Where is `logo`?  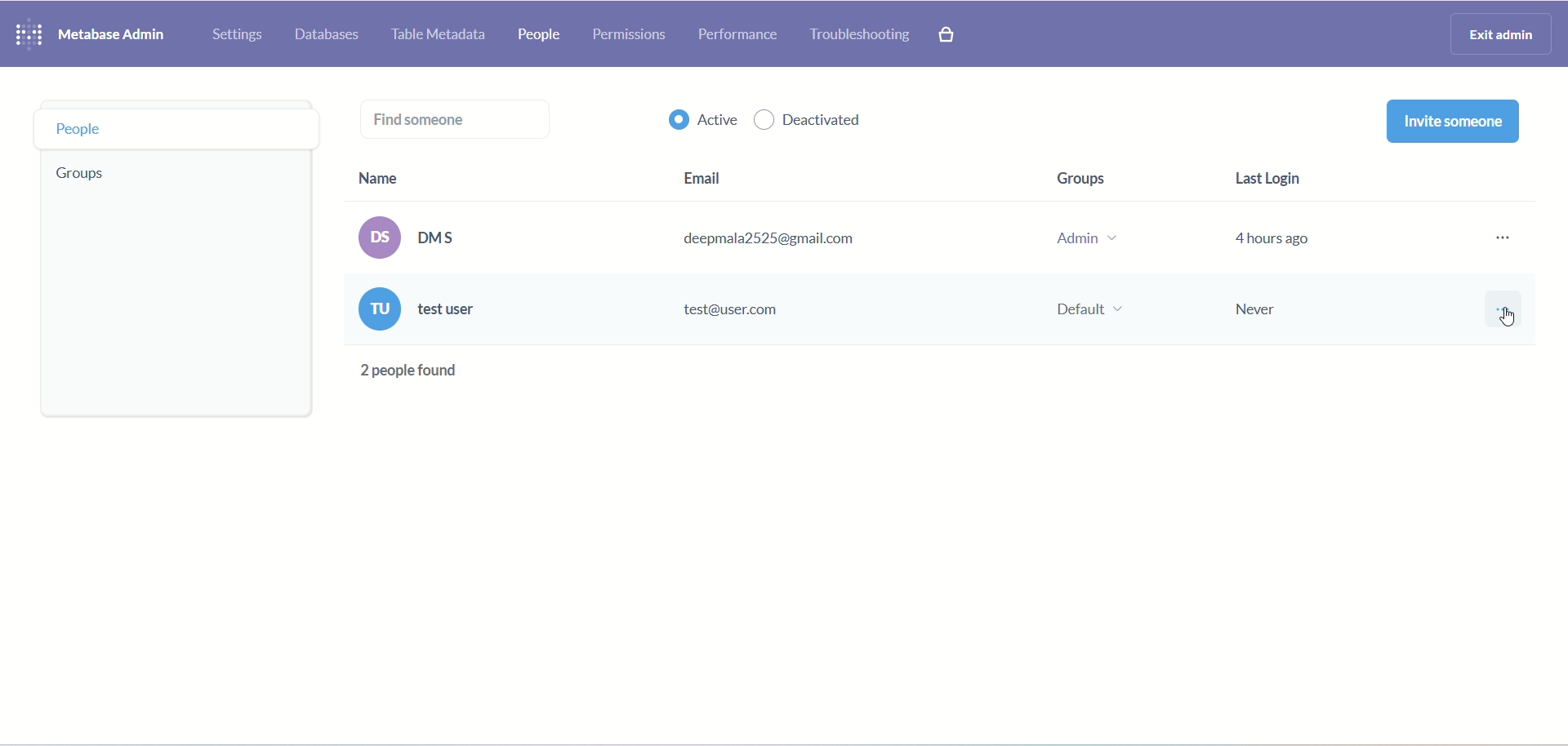 logo is located at coordinates (29, 33).